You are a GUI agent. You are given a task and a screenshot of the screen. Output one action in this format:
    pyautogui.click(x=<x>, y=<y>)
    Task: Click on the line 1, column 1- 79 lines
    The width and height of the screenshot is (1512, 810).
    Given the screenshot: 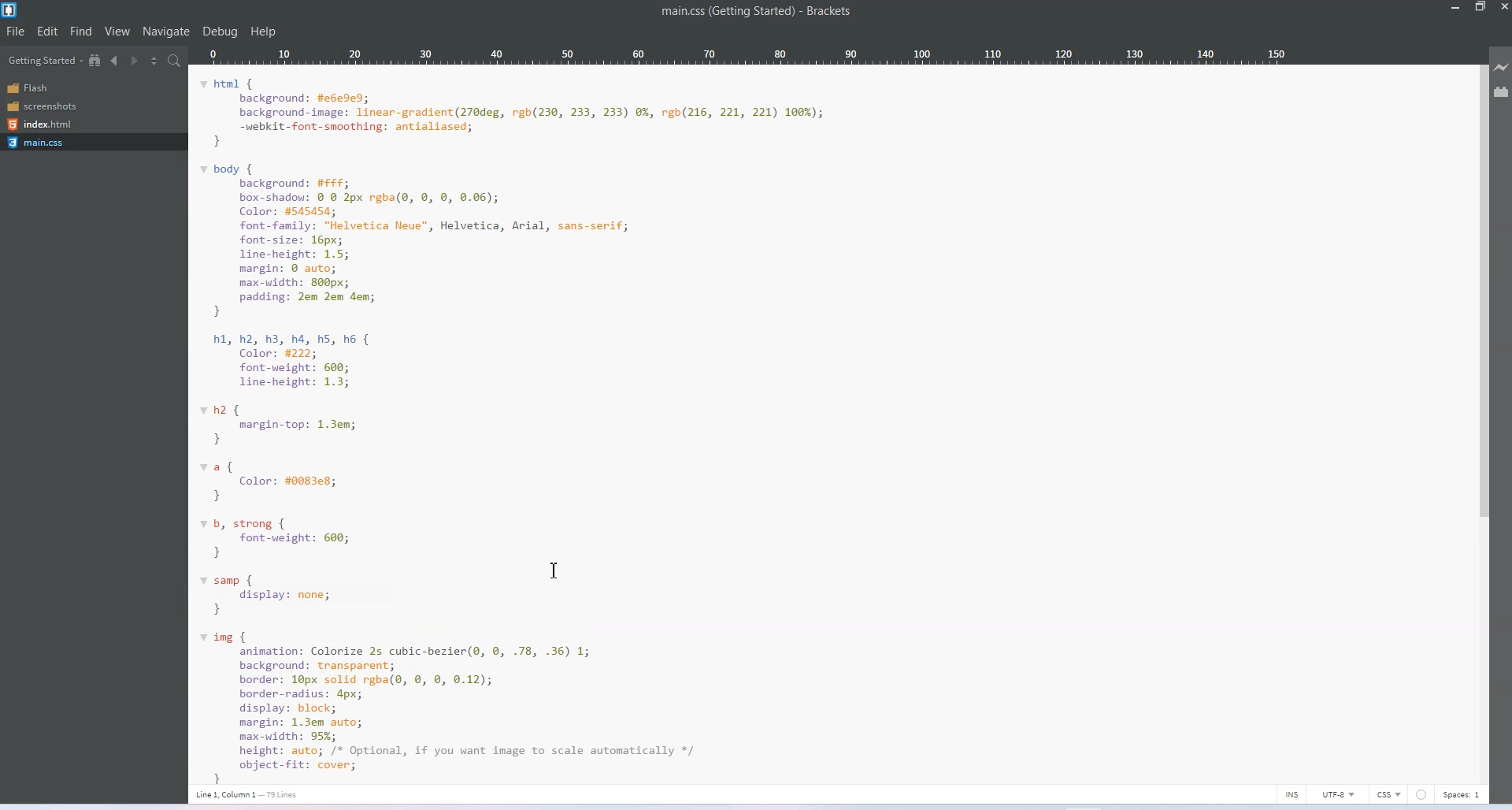 What is the action you would take?
    pyautogui.click(x=243, y=793)
    